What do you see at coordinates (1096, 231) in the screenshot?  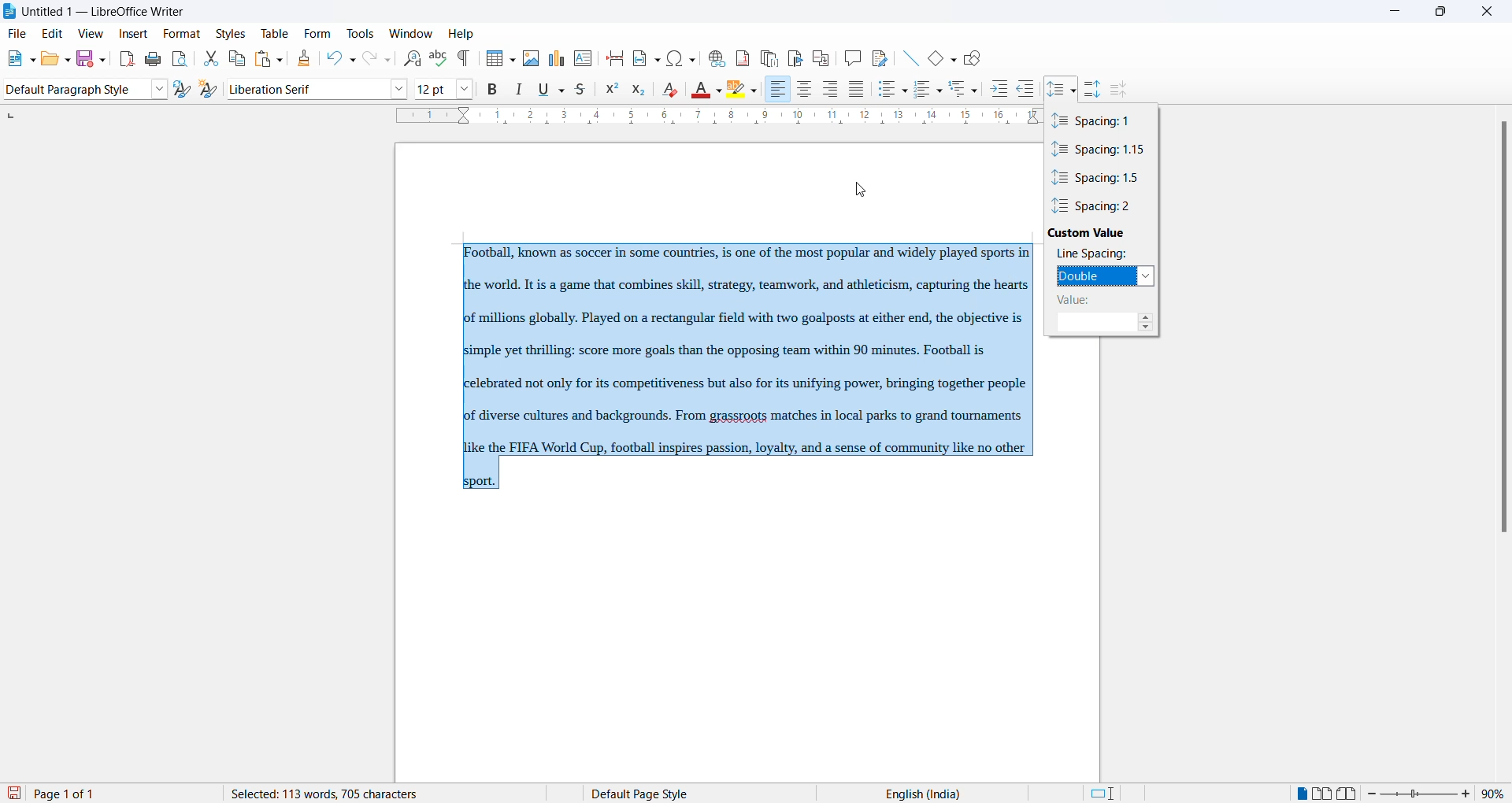 I see `custom value` at bounding box center [1096, 231].